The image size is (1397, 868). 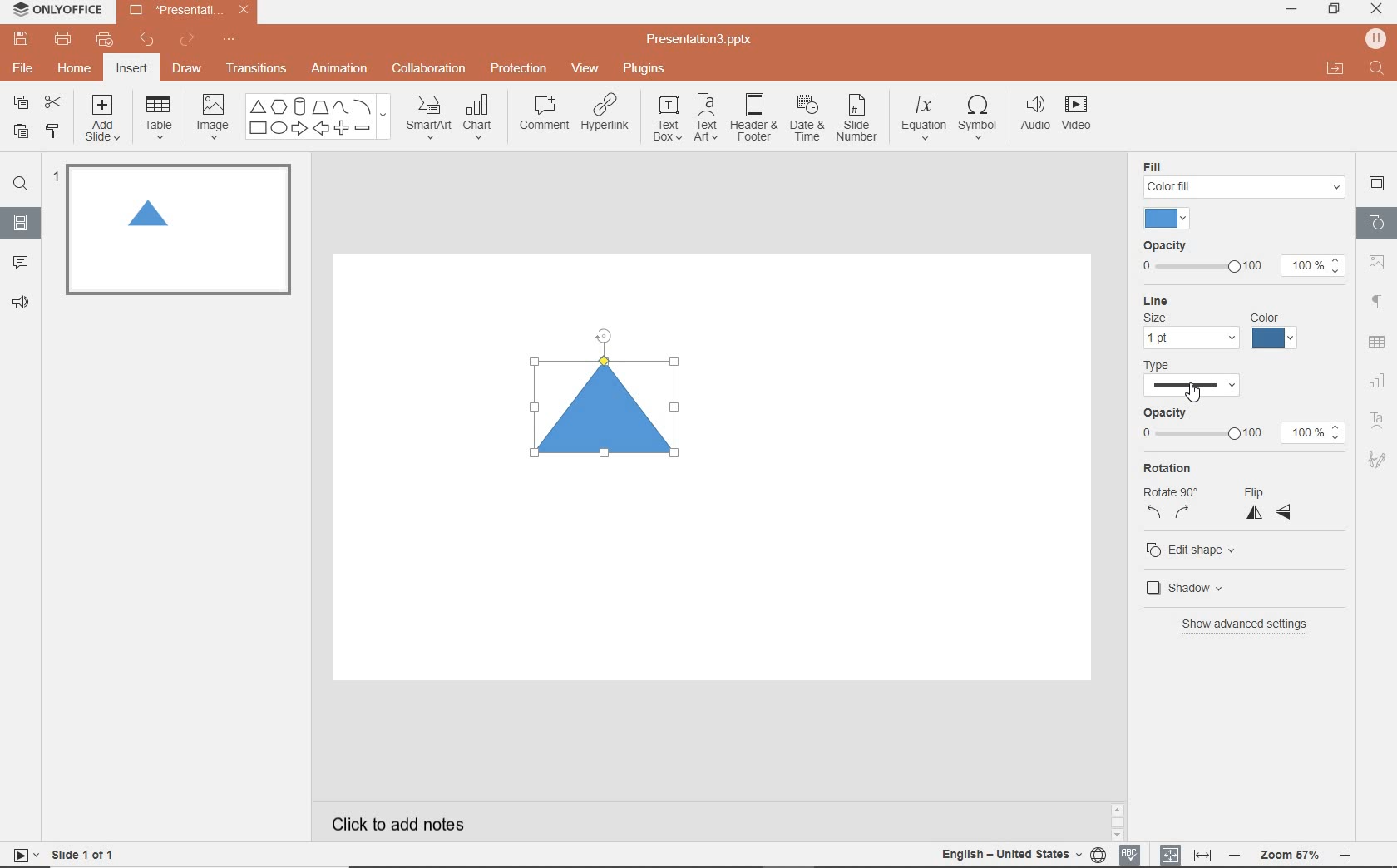 What do you see at coordinates (1374, 38) in the screenshot?
I see `profile` at bounding box center [1374, 38].